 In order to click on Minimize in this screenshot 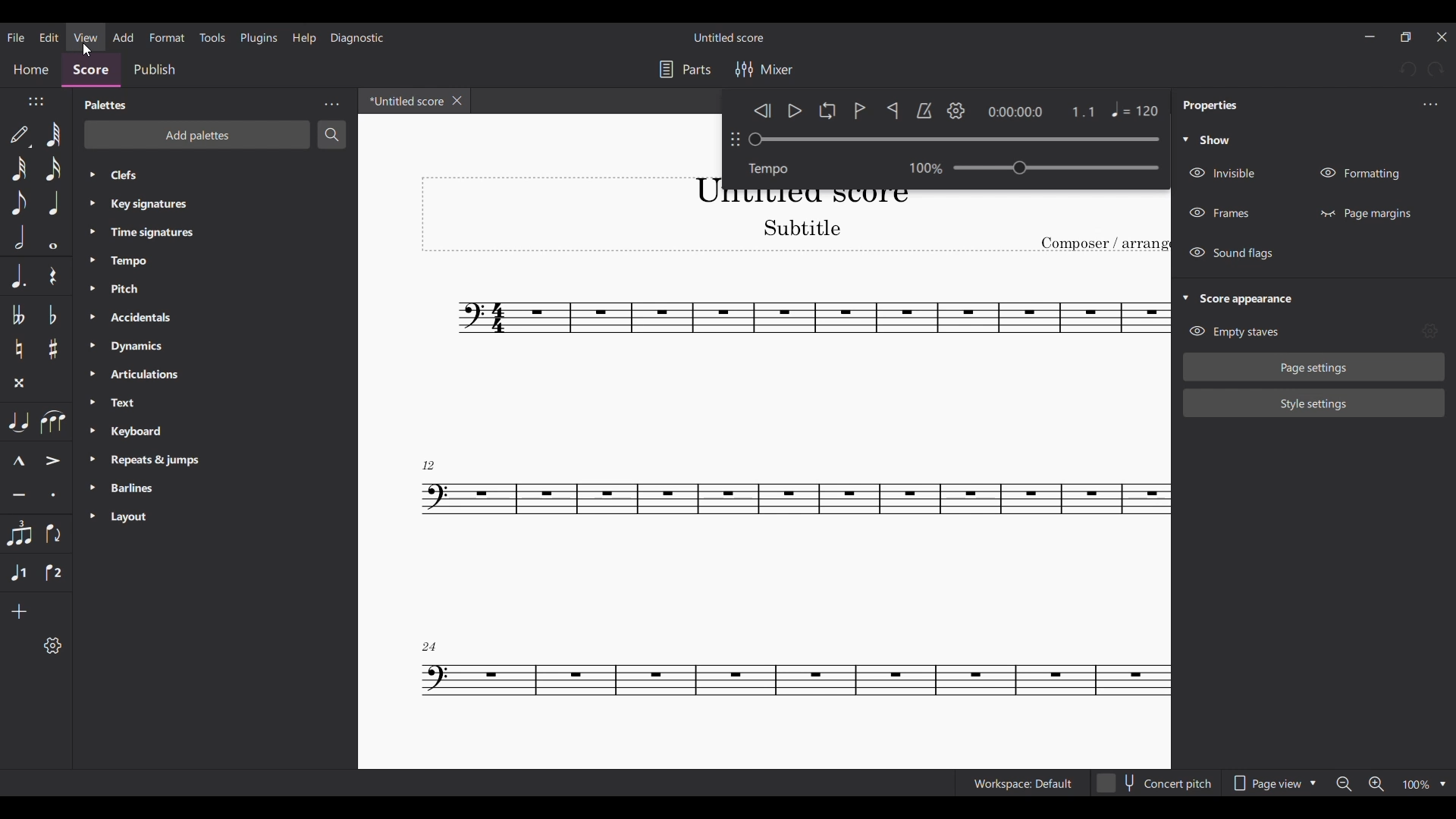, I will do `click(1369, 36)`.